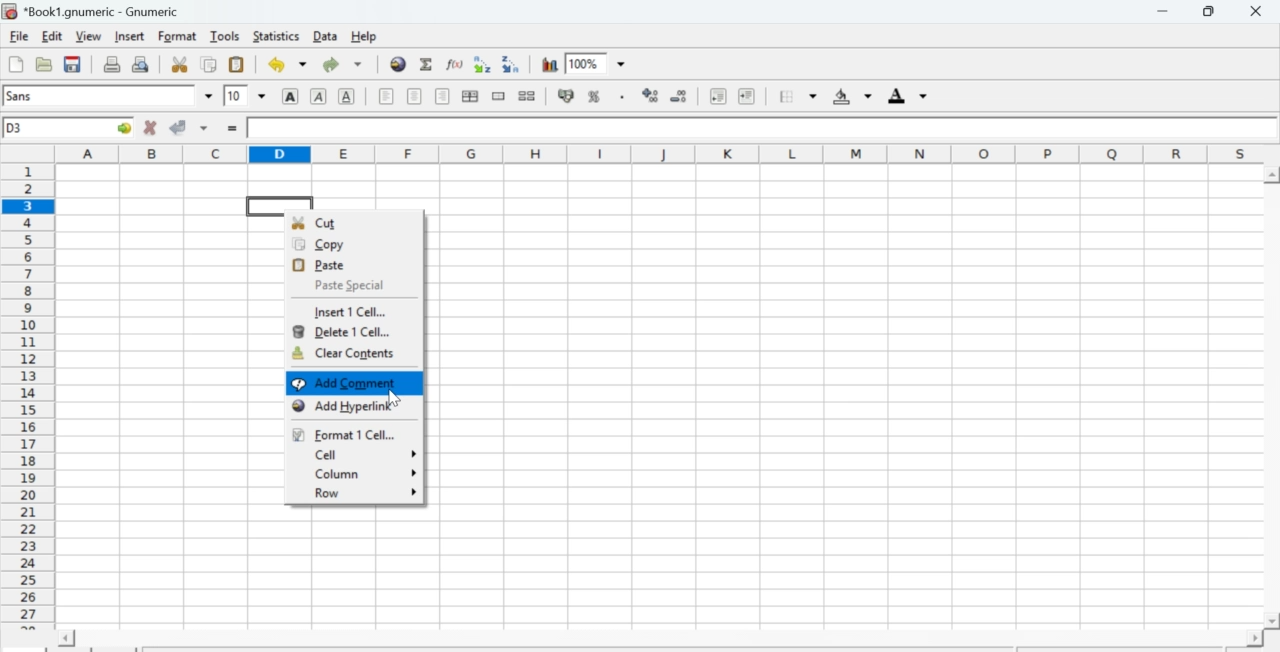 The height and width of the screenshot is (652, 1280). Describe the element at coordinates (212, 65) in the screenshot. I see `Copy` at that location.